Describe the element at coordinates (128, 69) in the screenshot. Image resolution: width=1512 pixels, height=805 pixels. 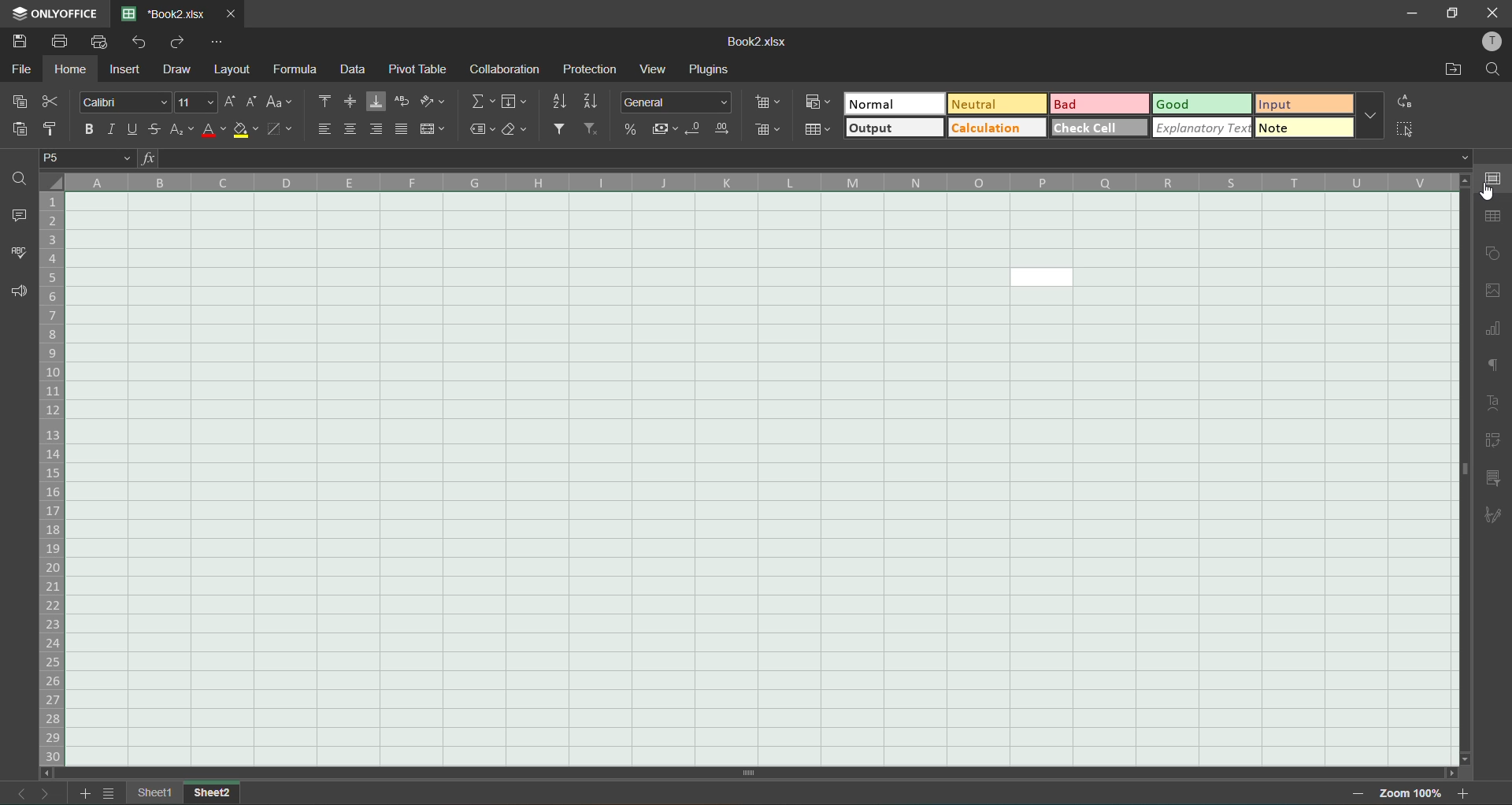
I see `insert` at that location.